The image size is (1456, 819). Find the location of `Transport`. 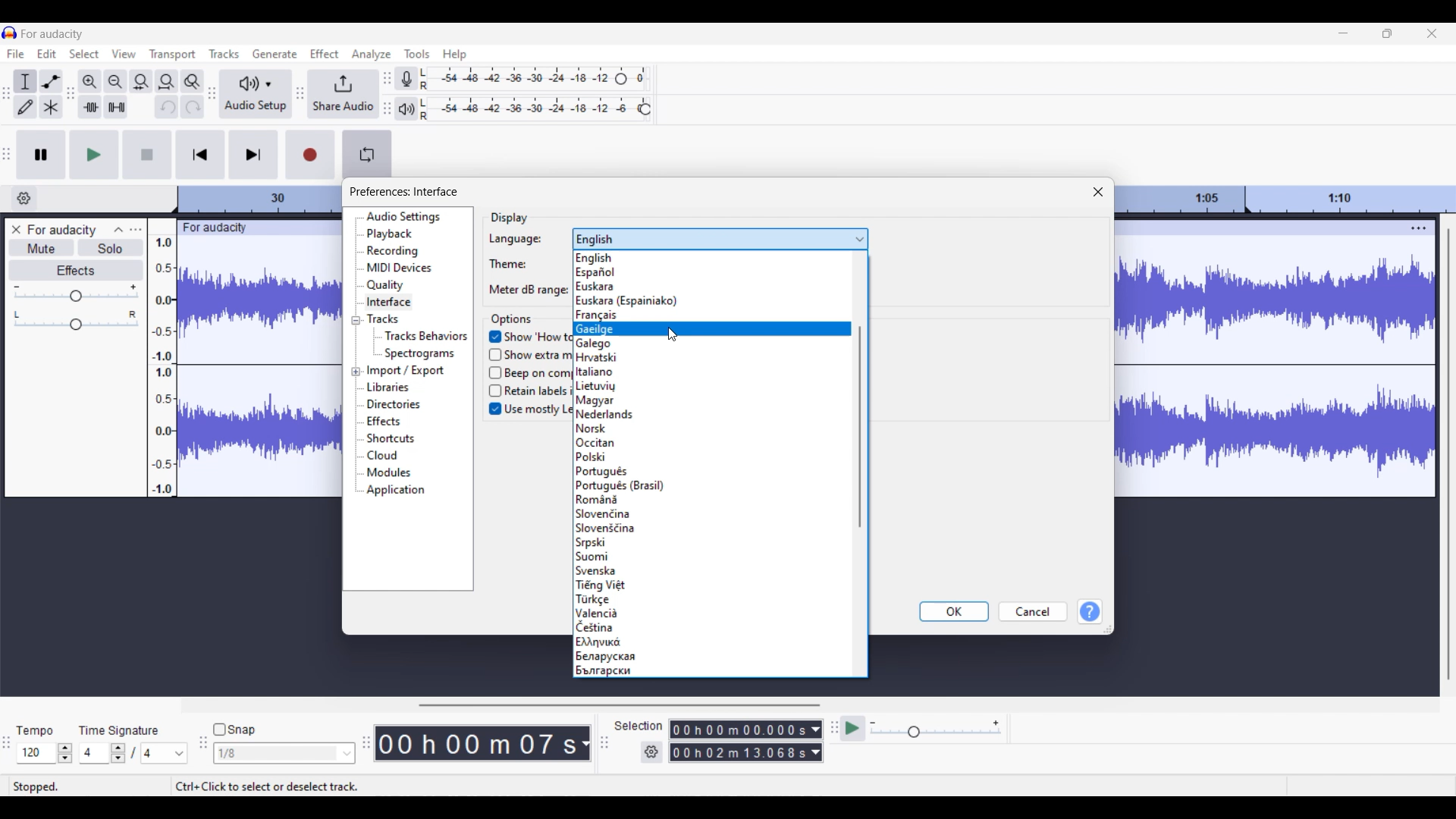

Transport is located at coordinates (173, 54).